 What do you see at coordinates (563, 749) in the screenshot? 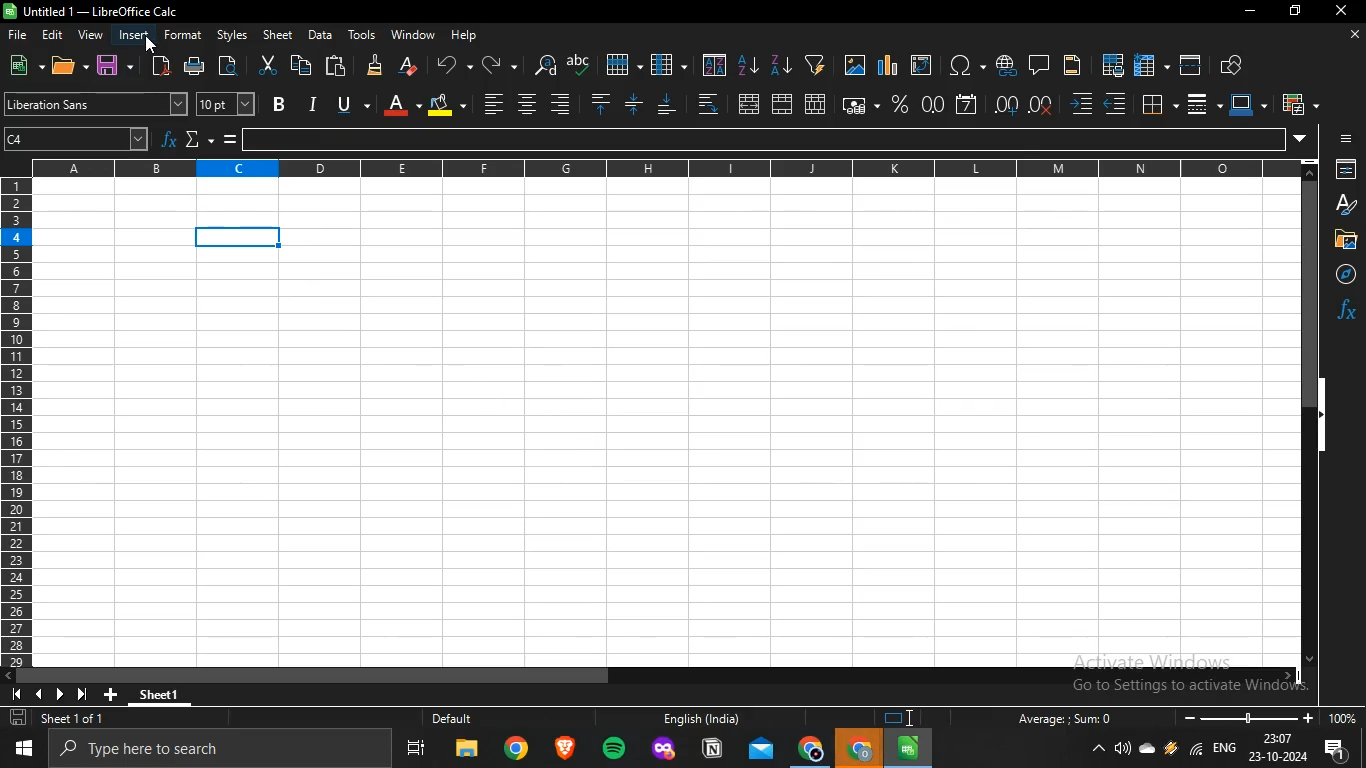
I see `brave` at bounding box center [563, 749].